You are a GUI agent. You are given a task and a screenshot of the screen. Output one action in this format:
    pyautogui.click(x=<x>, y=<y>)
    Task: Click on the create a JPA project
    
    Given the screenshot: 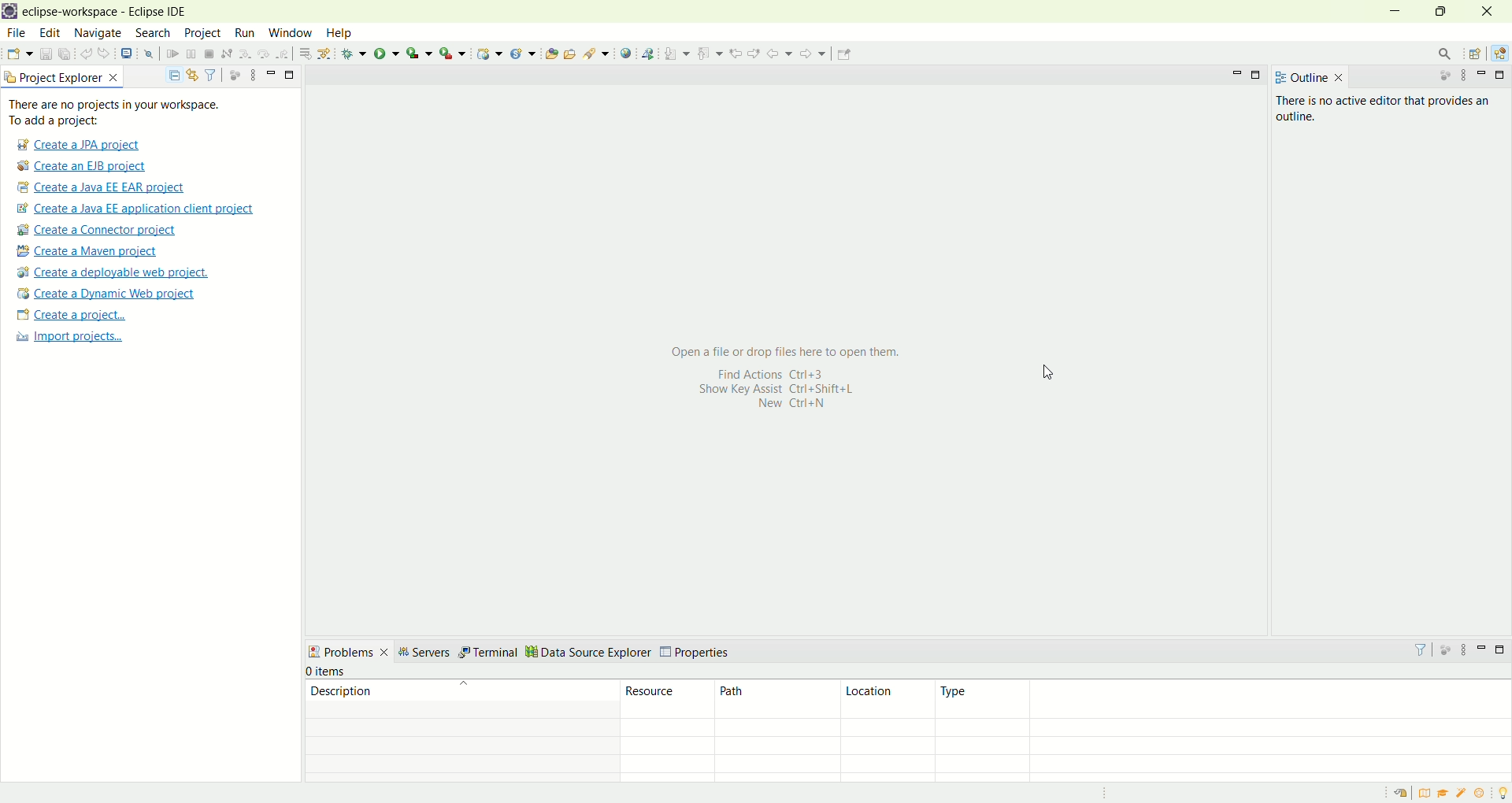 What is the action you would take?
    pyautogui.click(x=80, y=146)
    